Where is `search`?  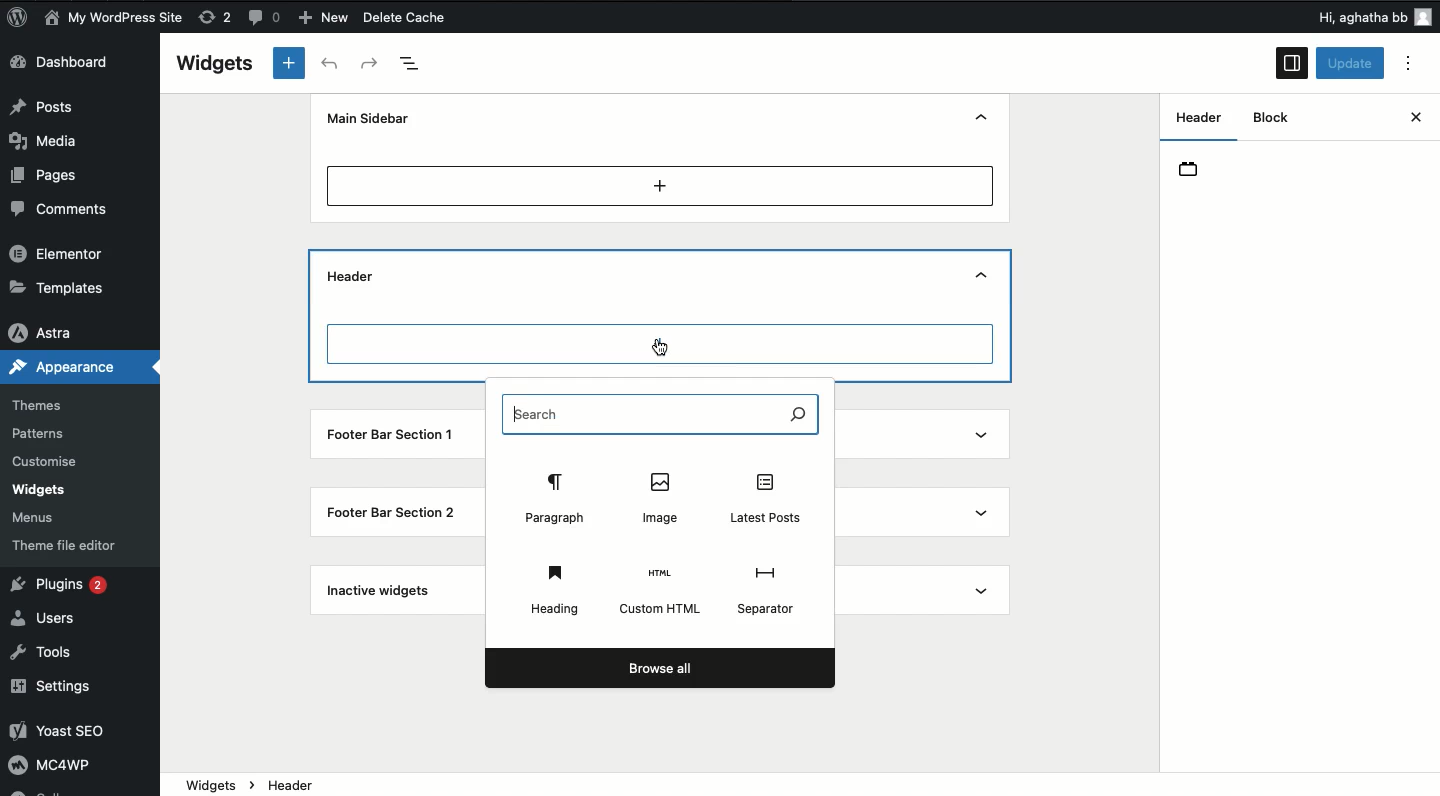 search is located at coordinates (665, 412).